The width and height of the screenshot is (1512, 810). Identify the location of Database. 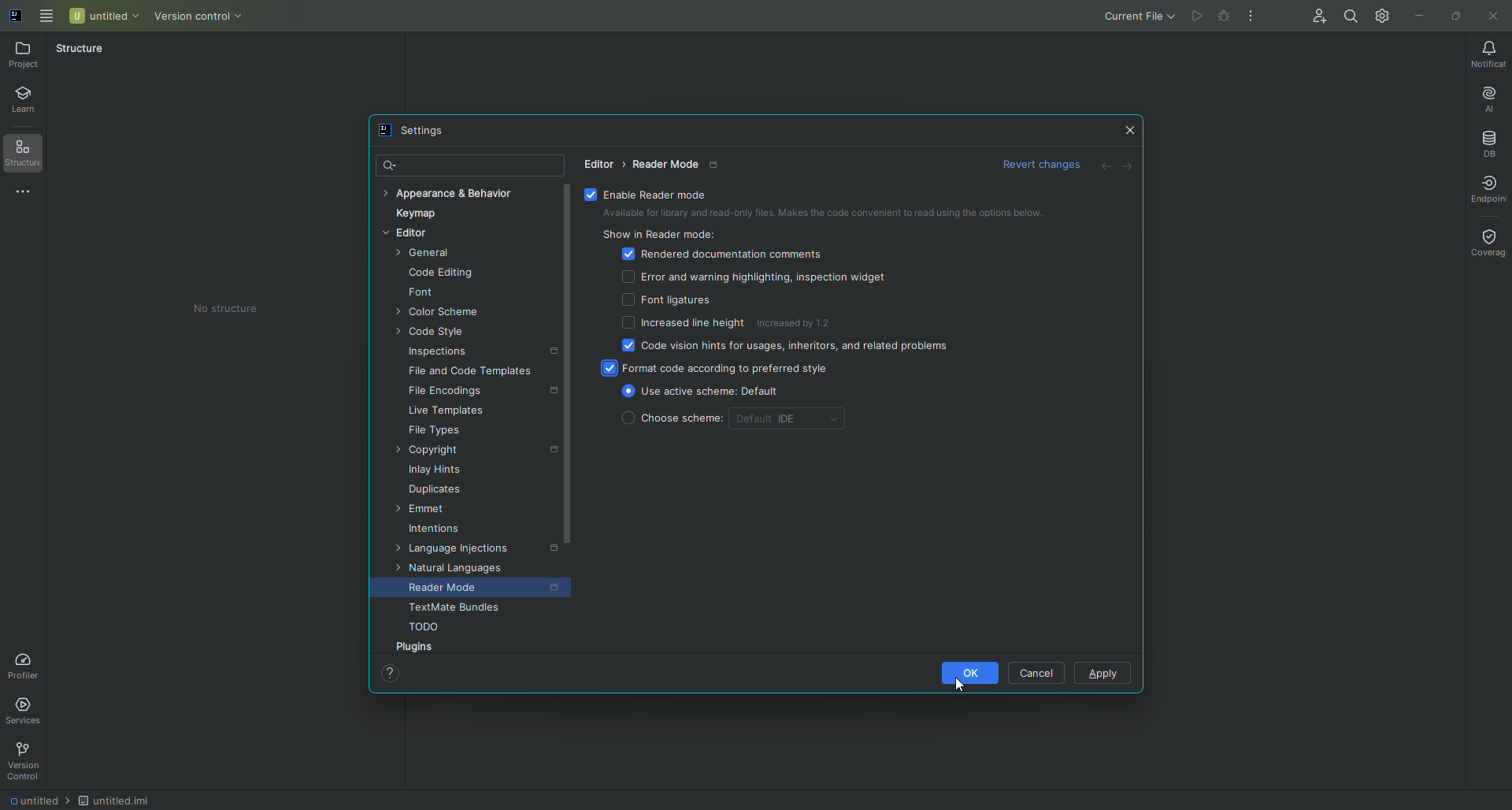
(1486, 144).